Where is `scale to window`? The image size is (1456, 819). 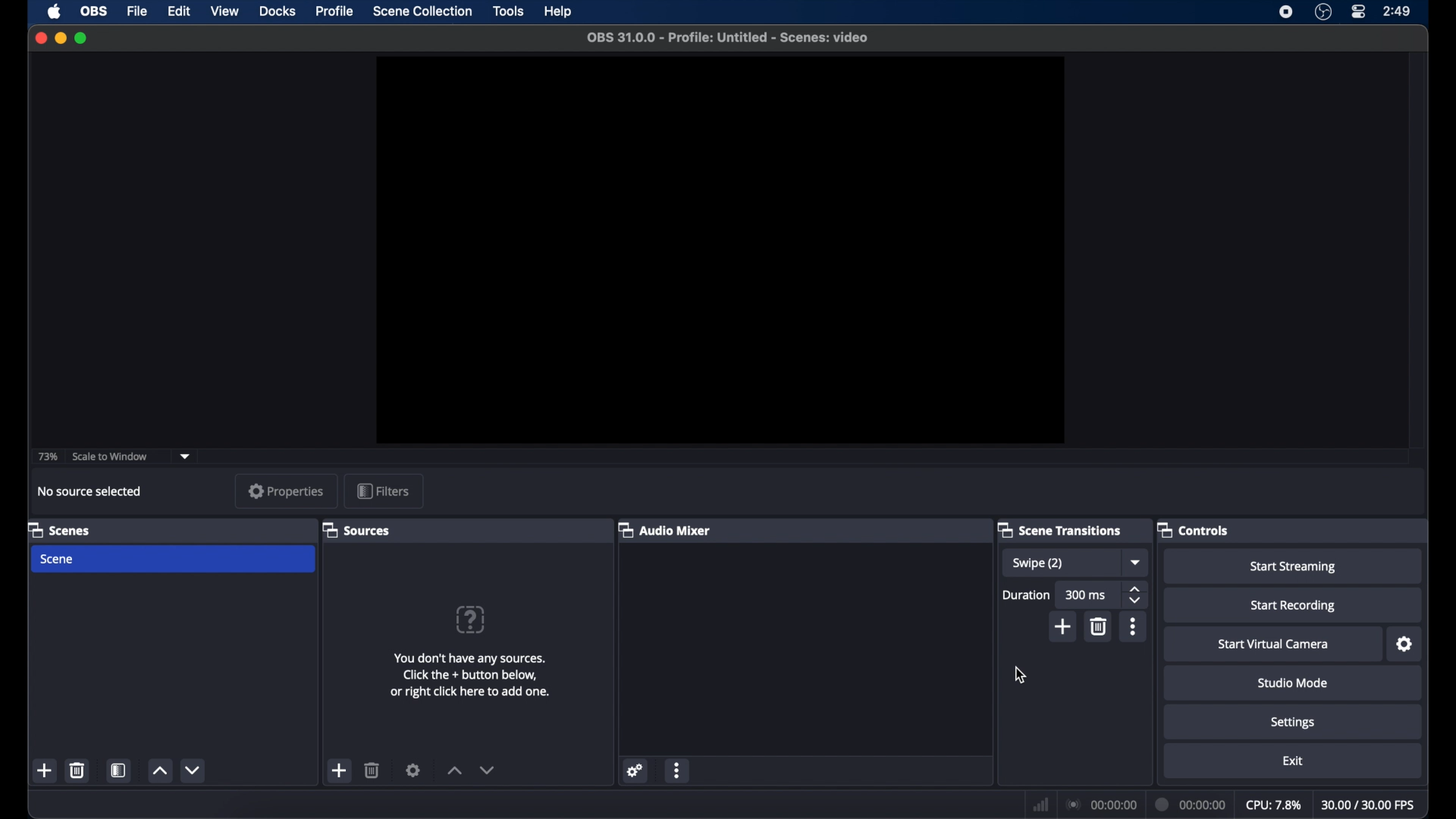
scale to window is located at coordinates (111, 457).